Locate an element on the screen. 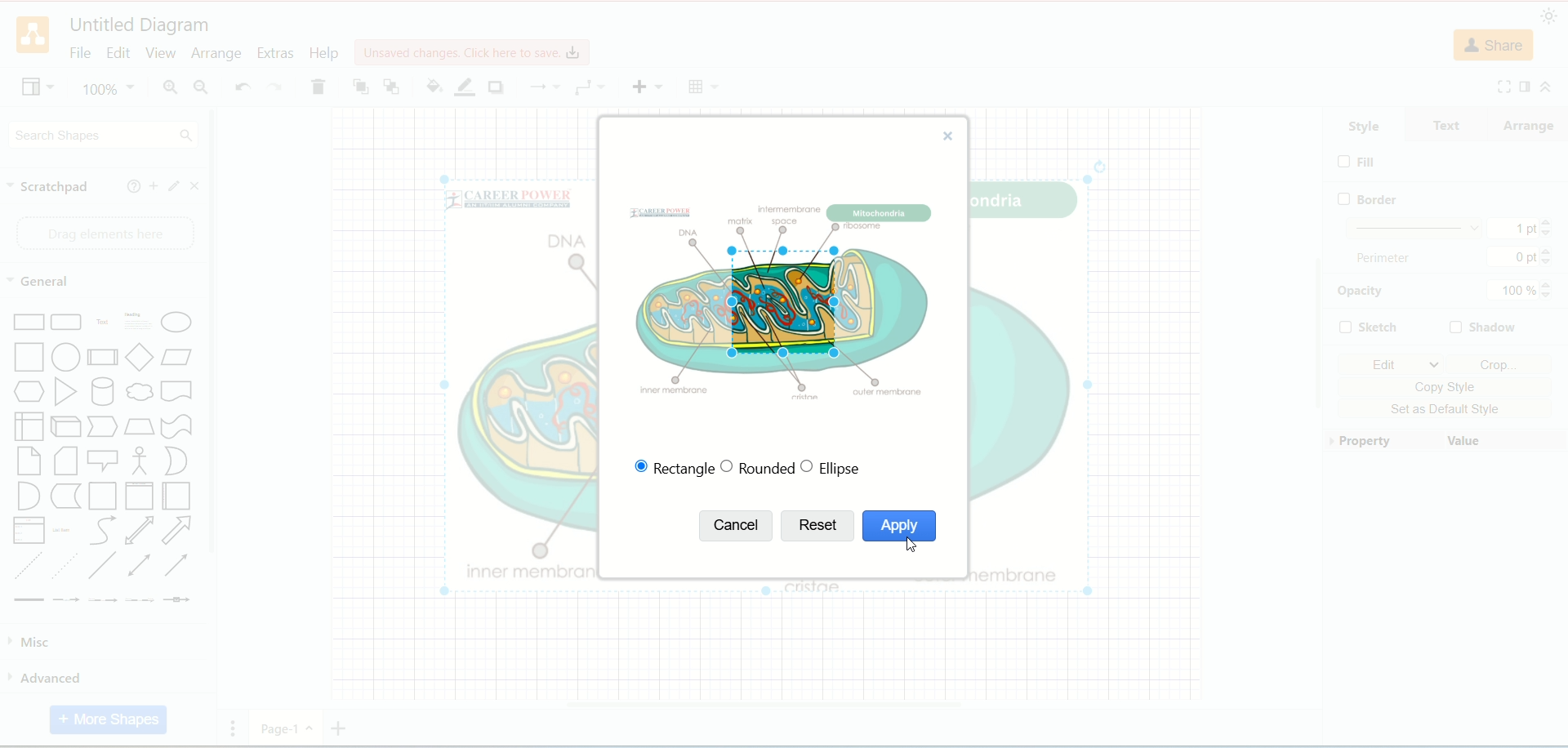 This screenshot has height=748, width=1568. Dashed Line is located at coordinates (28, 567).